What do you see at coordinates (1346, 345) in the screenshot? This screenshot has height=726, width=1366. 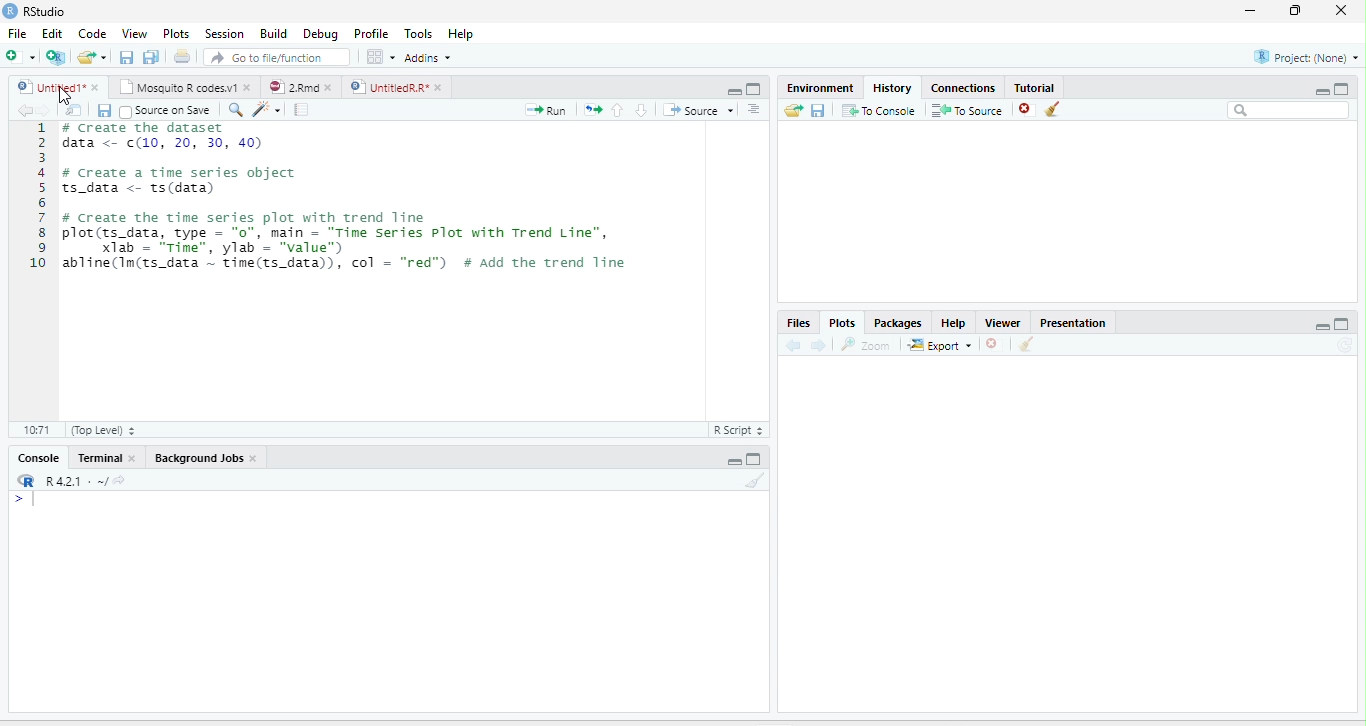 I see `Refresh current plot` at bounding box center [1346, 345].